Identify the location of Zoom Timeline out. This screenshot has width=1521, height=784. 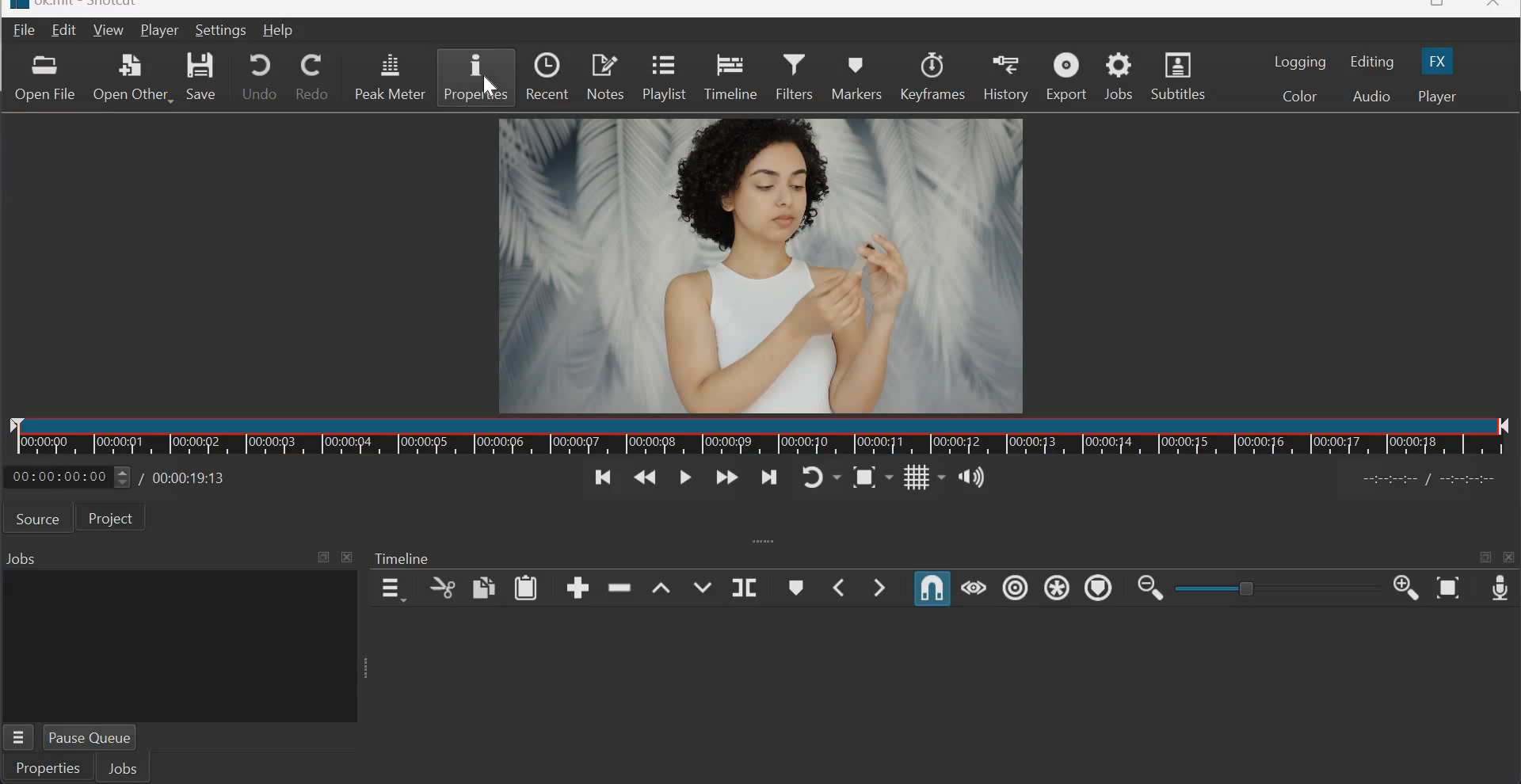
(1150, 590).